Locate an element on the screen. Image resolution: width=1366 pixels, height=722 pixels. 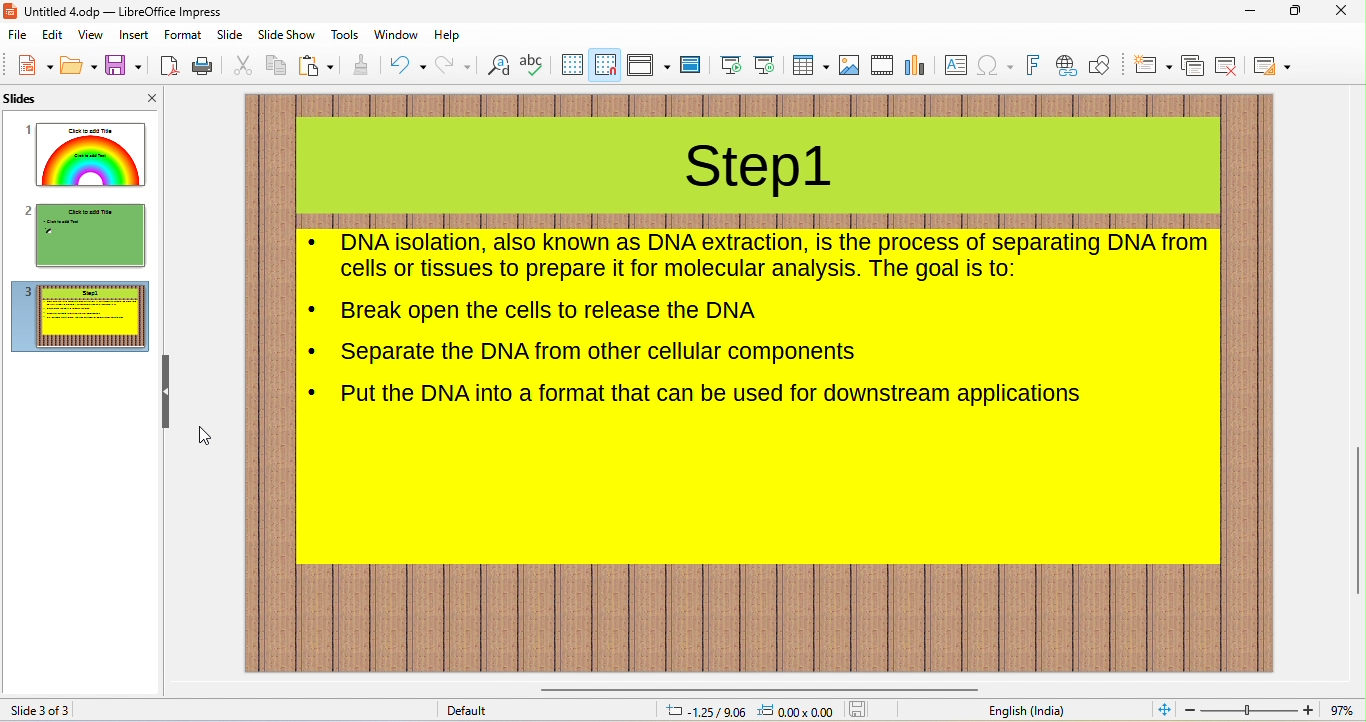
chart is located at coordinates (917, 65).